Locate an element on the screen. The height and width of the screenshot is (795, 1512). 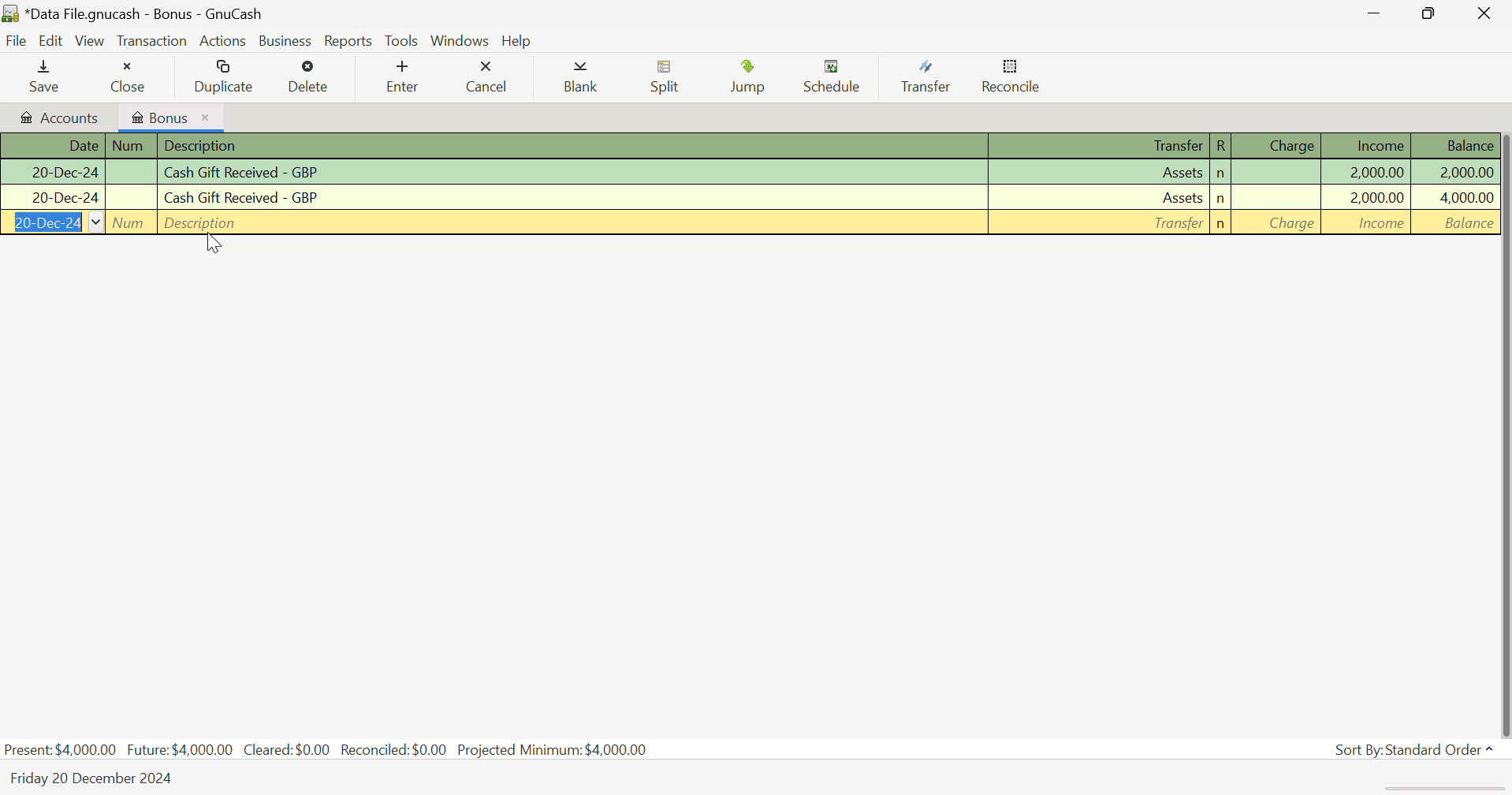
Reconcile is located at coordinates (1011, 77).